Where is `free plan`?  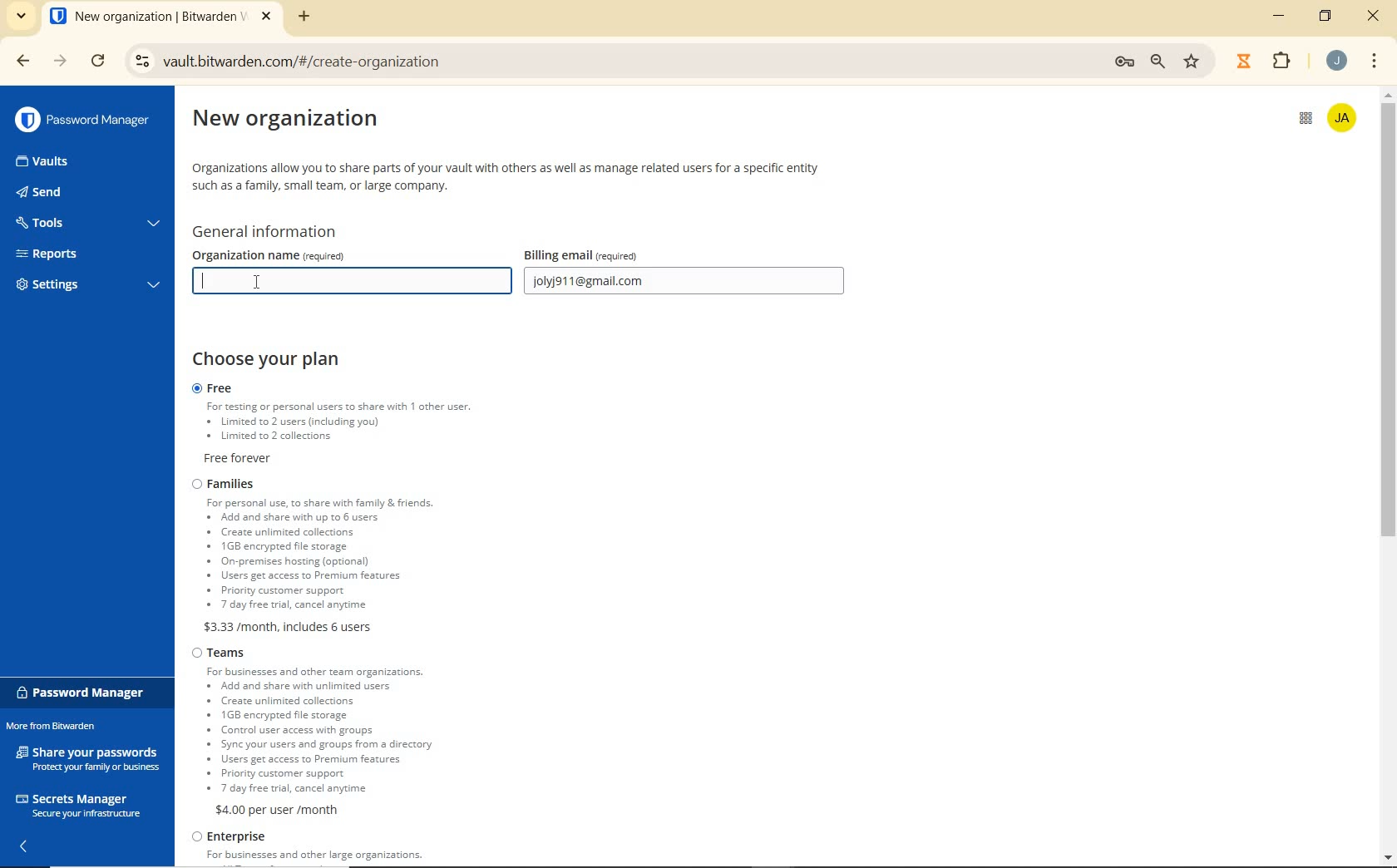
free plan is located at coordinates (359, 425).